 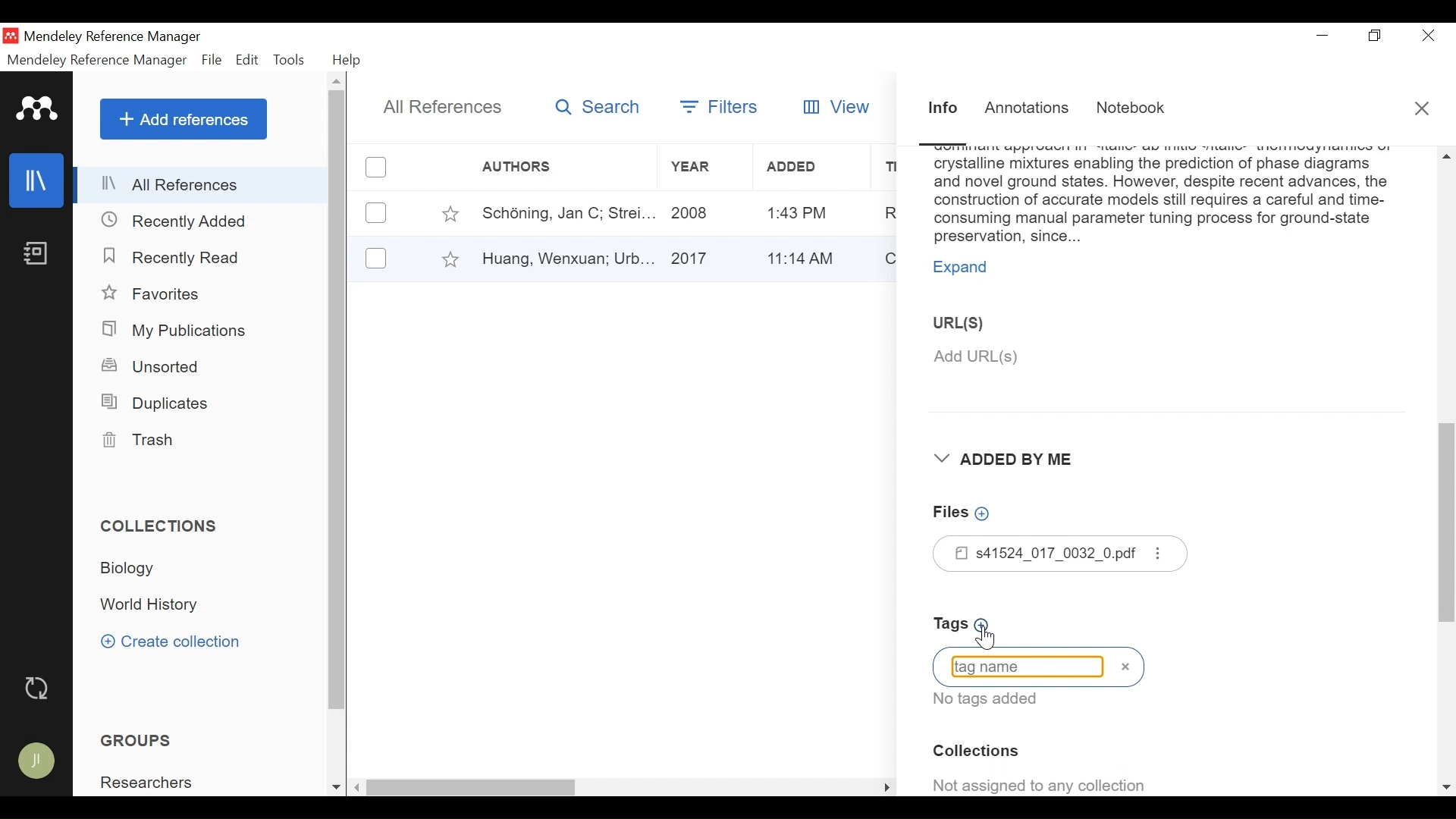 What do you see at coordinates (441, 108) in the screenshot?
I see `All References` at bounding box center [441, 108].